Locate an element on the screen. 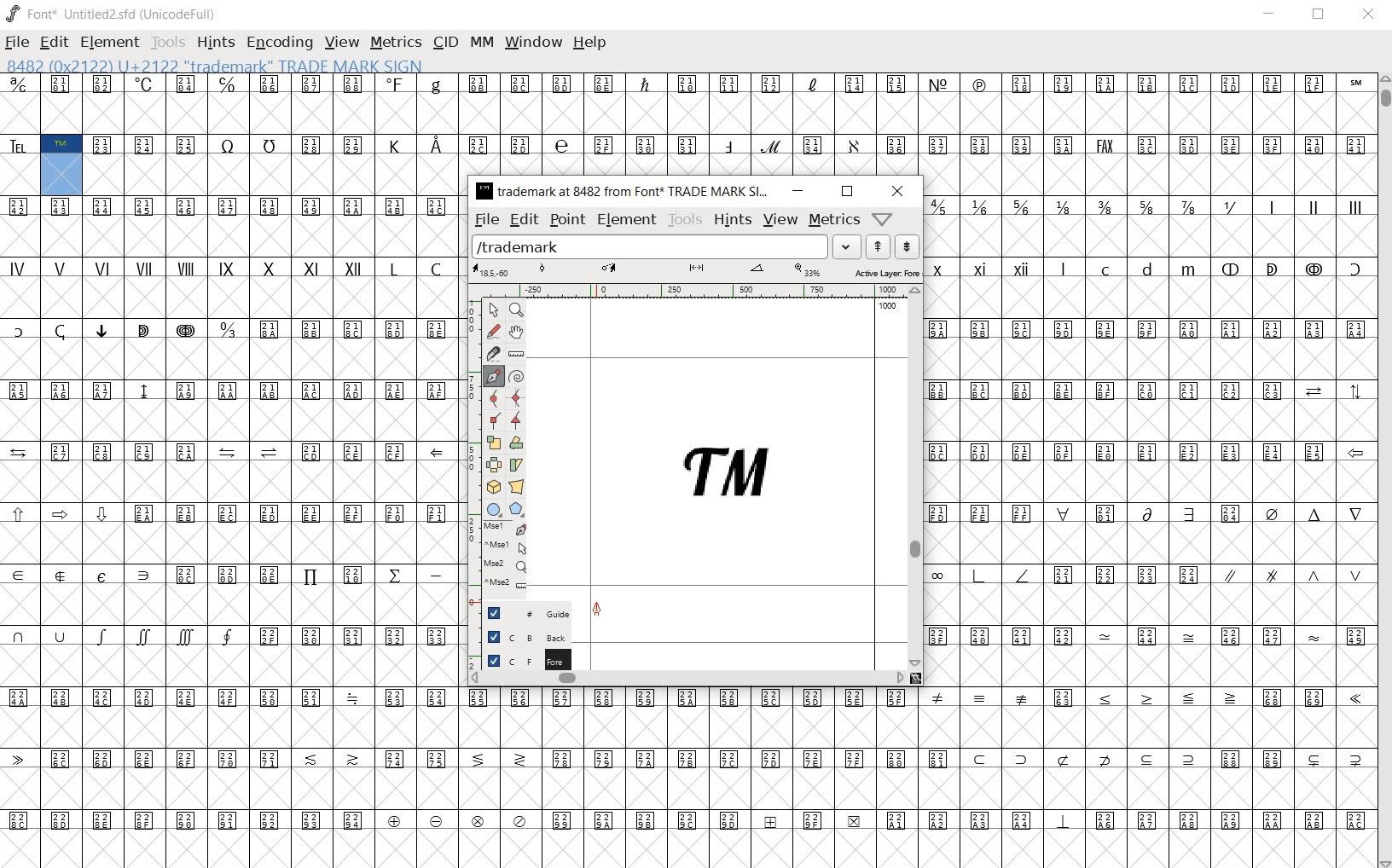 The height and width of the screenshot is (868, 1392). metrics is located at coordinates (836, 220).